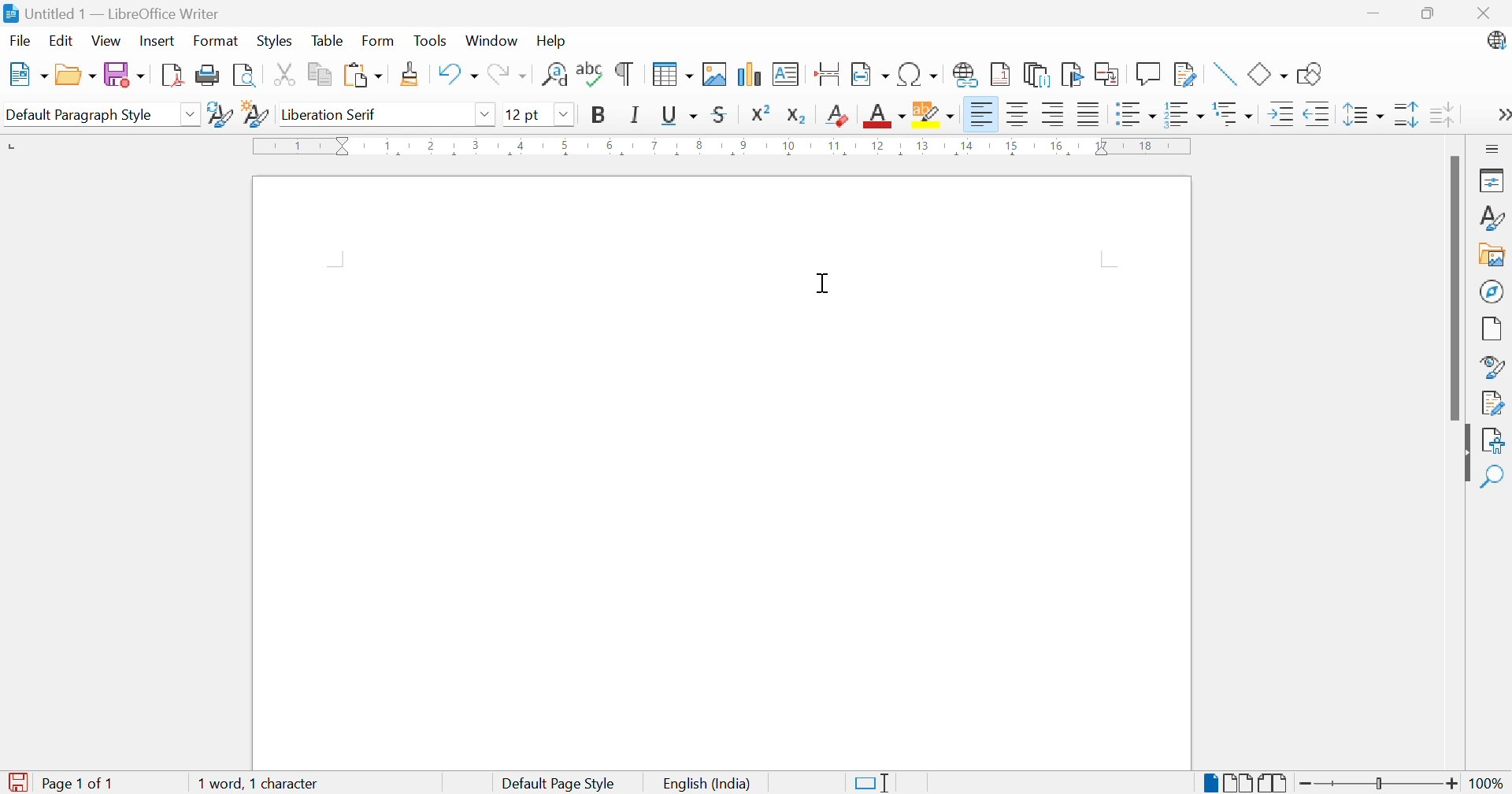  Describe the element at coordinates (720, 117) in the screenshot. I see `Strikethrough` at that location.